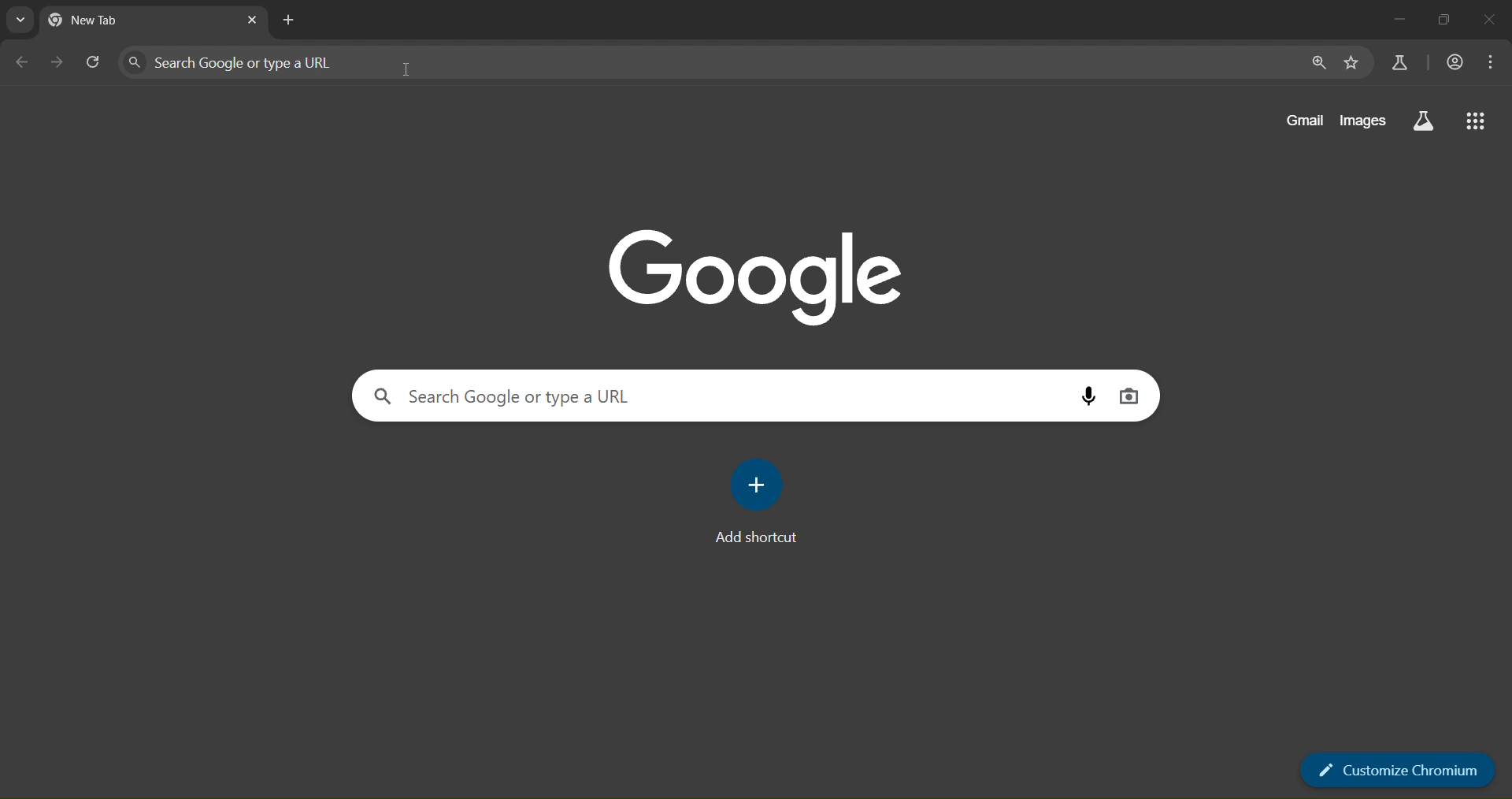  I want to click on accounts, so click(1455, 62).